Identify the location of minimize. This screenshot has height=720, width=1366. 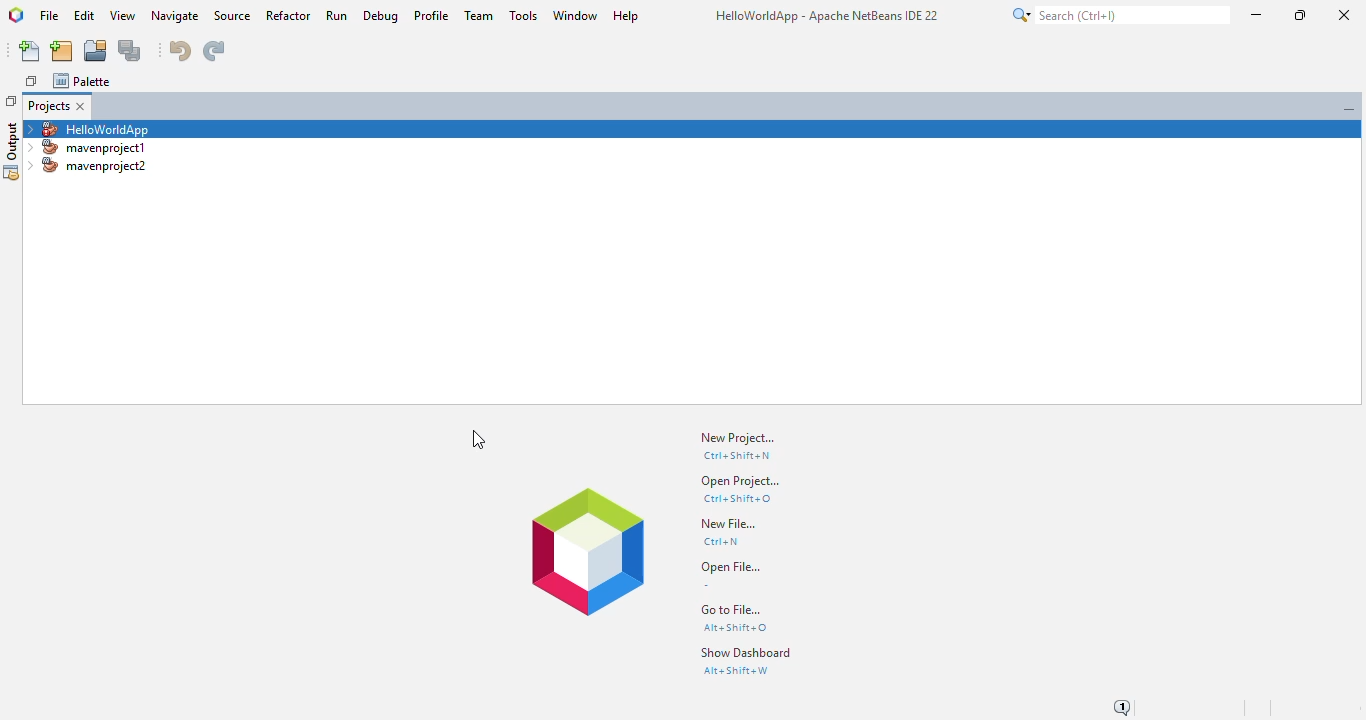
(1258, 14).